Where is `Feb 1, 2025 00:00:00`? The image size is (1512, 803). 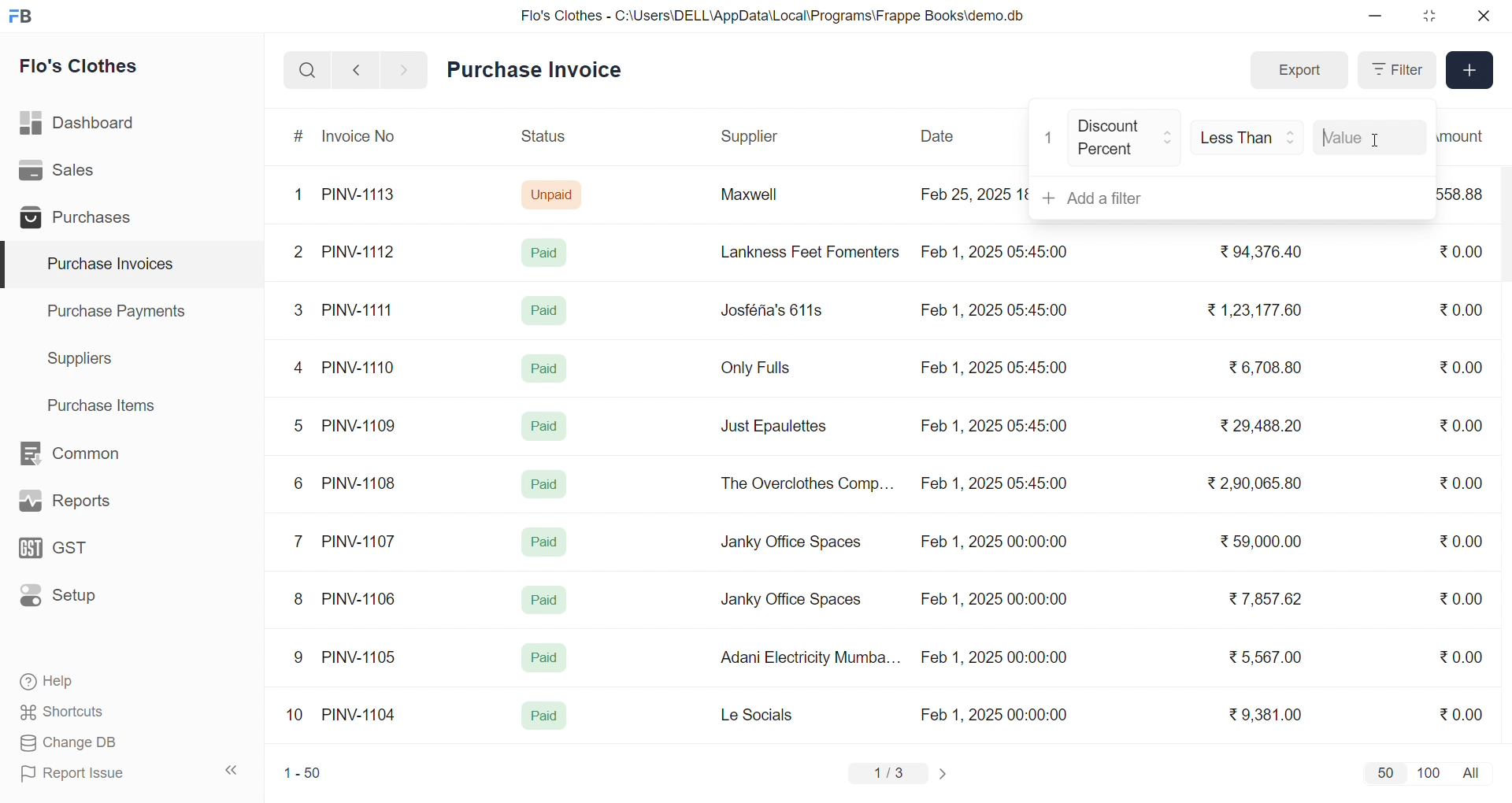
Feb 1, 2025 00:00:00 is located at coordinates (993, 544).